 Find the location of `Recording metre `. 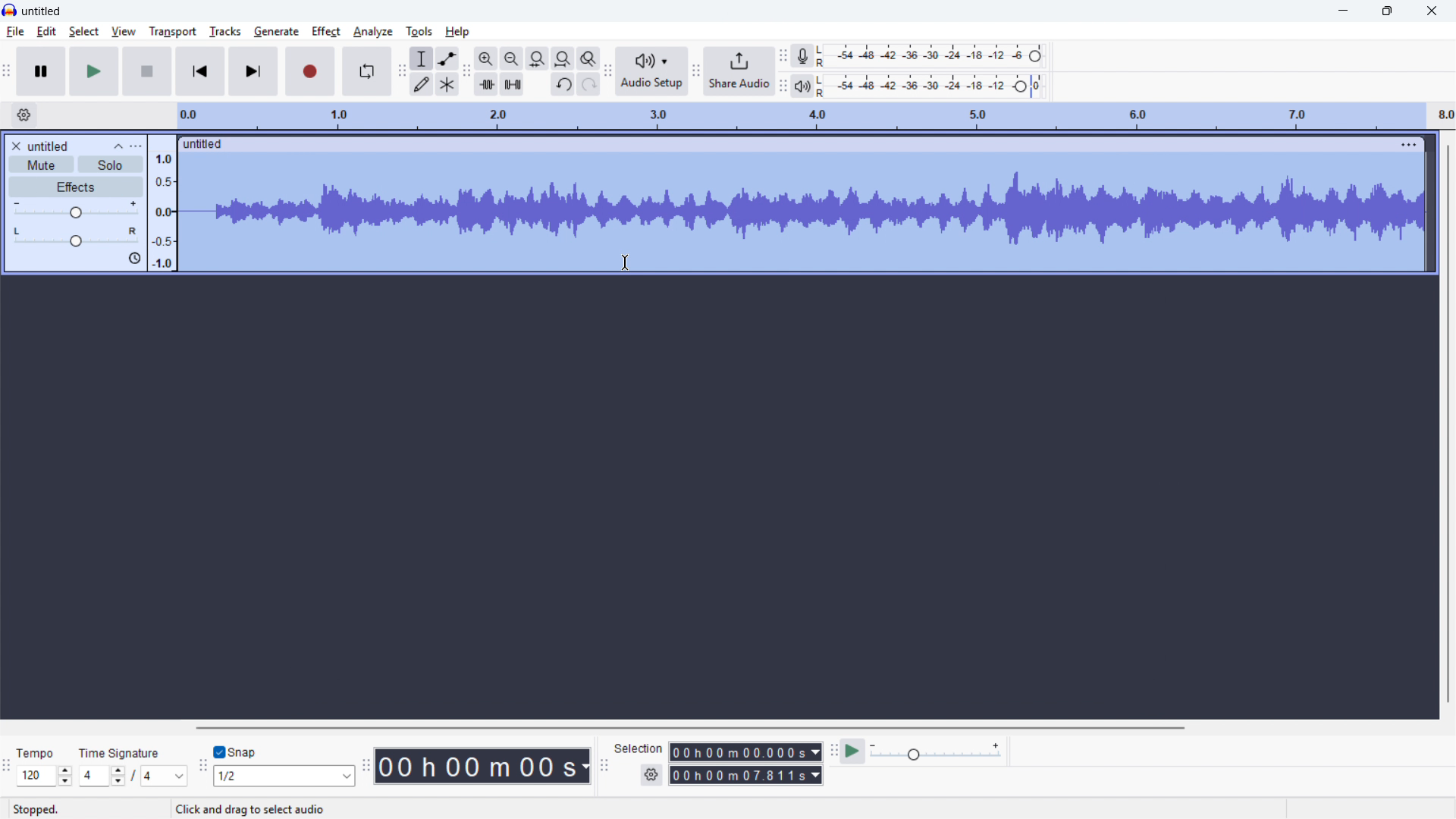

Recording metre  is located at coordinates (803, 56).